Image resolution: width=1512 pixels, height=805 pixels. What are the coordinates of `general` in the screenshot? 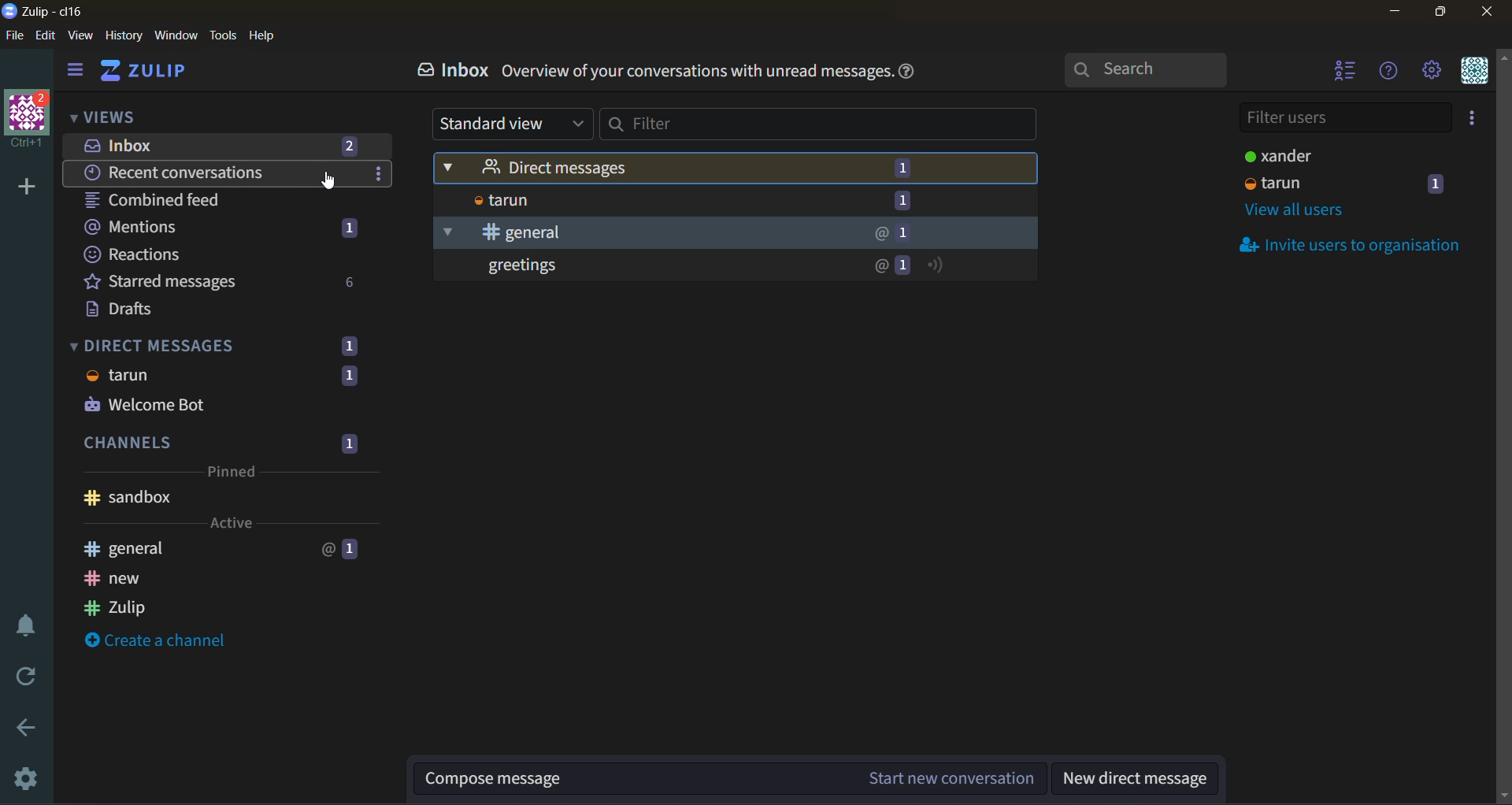 It's located at (650, 232).